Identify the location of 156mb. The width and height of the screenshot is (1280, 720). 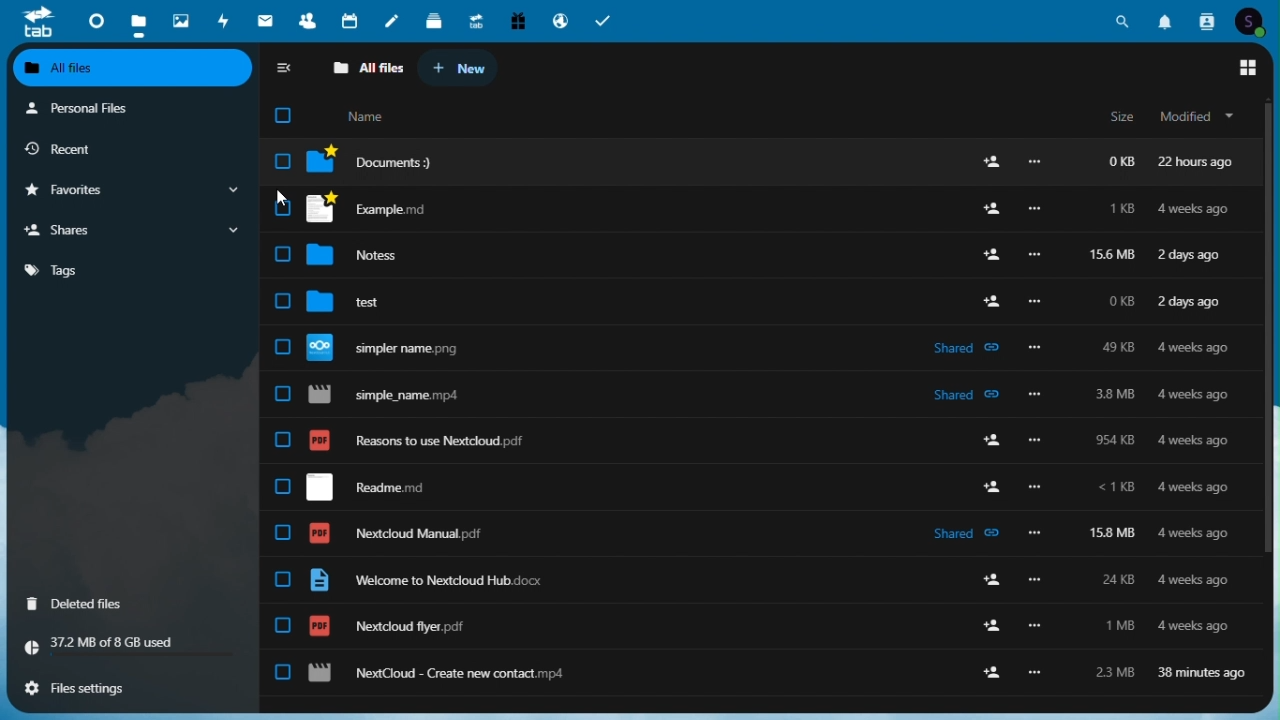
(1115, 255).